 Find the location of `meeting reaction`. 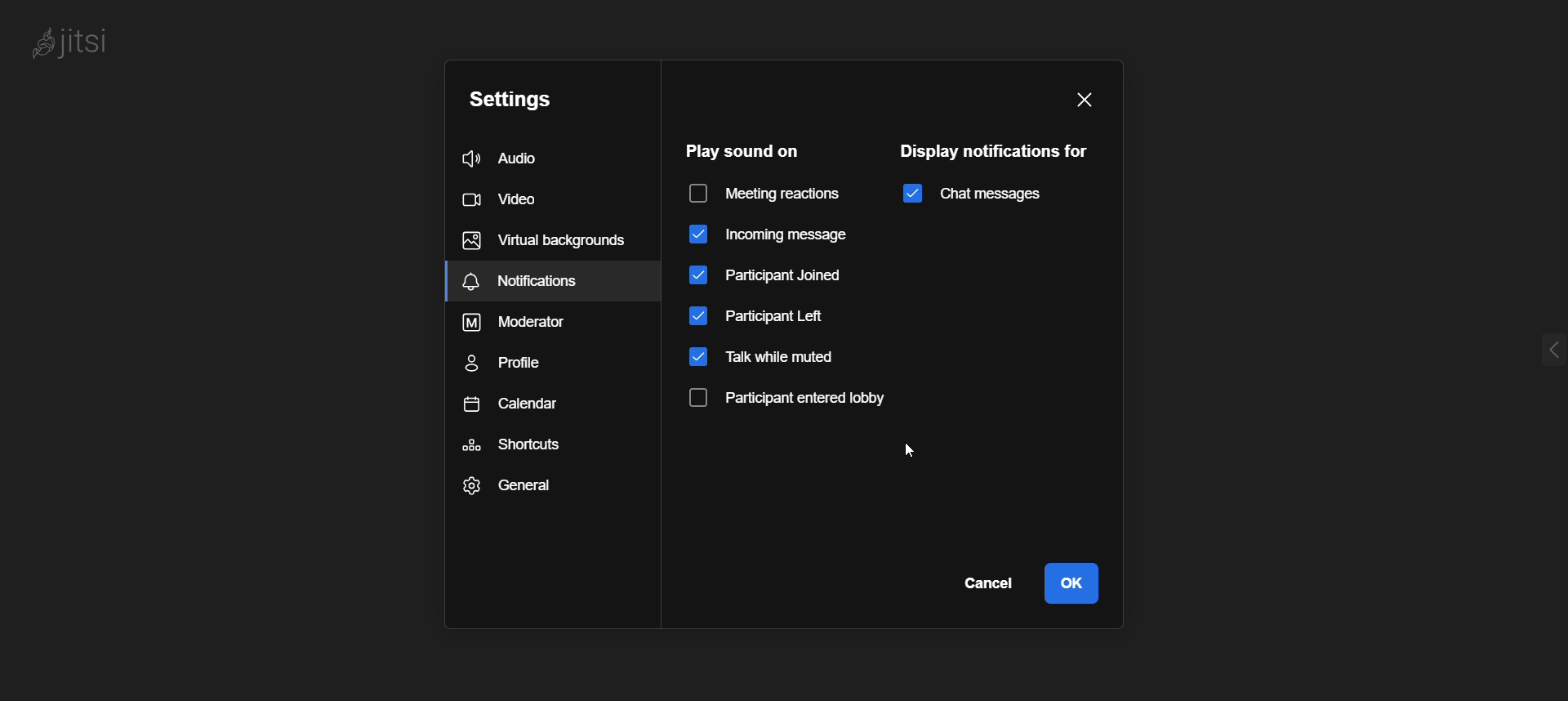

meeting reaction is located at coordinates (769, 194).